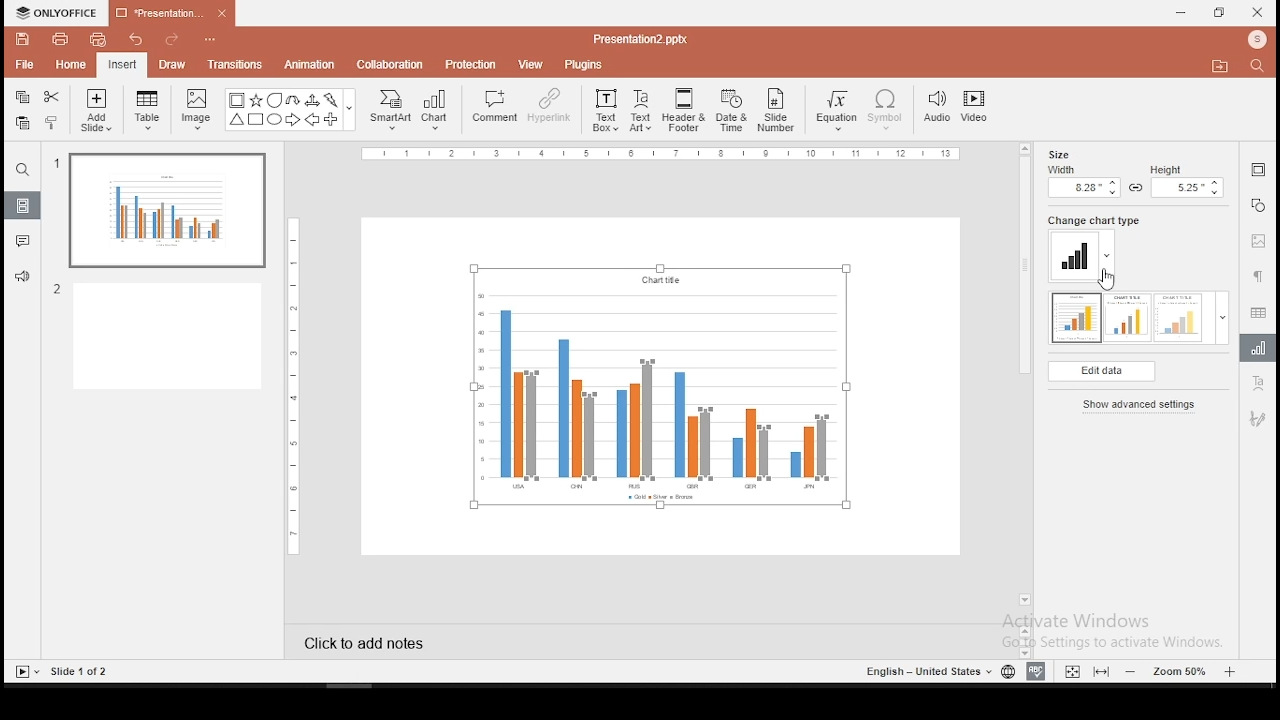 This screenshot has width=1280, height=720. I want to click on spell check, so click(1035, 671).